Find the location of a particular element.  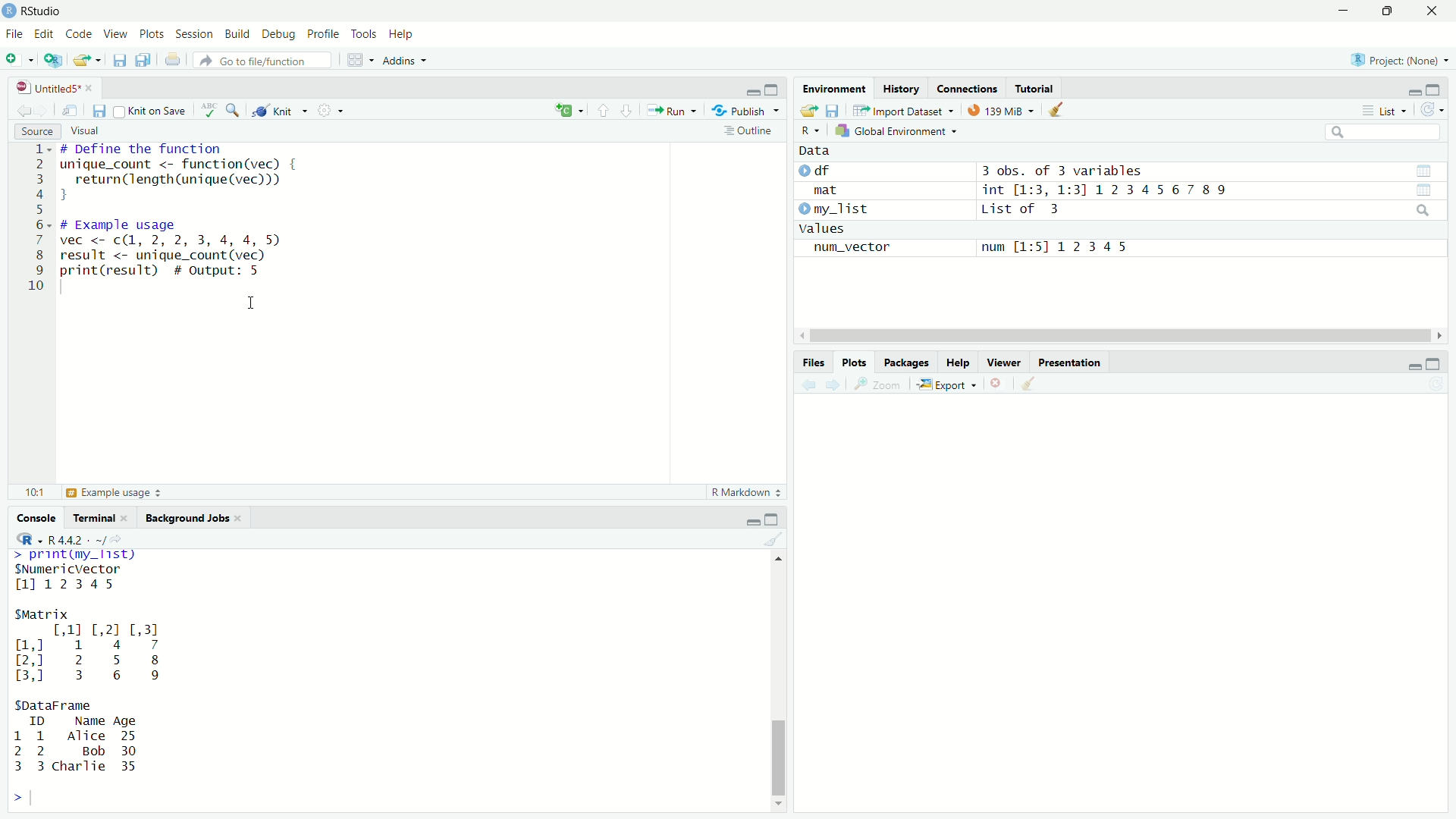

Environment is located at coordinates (835, 89).